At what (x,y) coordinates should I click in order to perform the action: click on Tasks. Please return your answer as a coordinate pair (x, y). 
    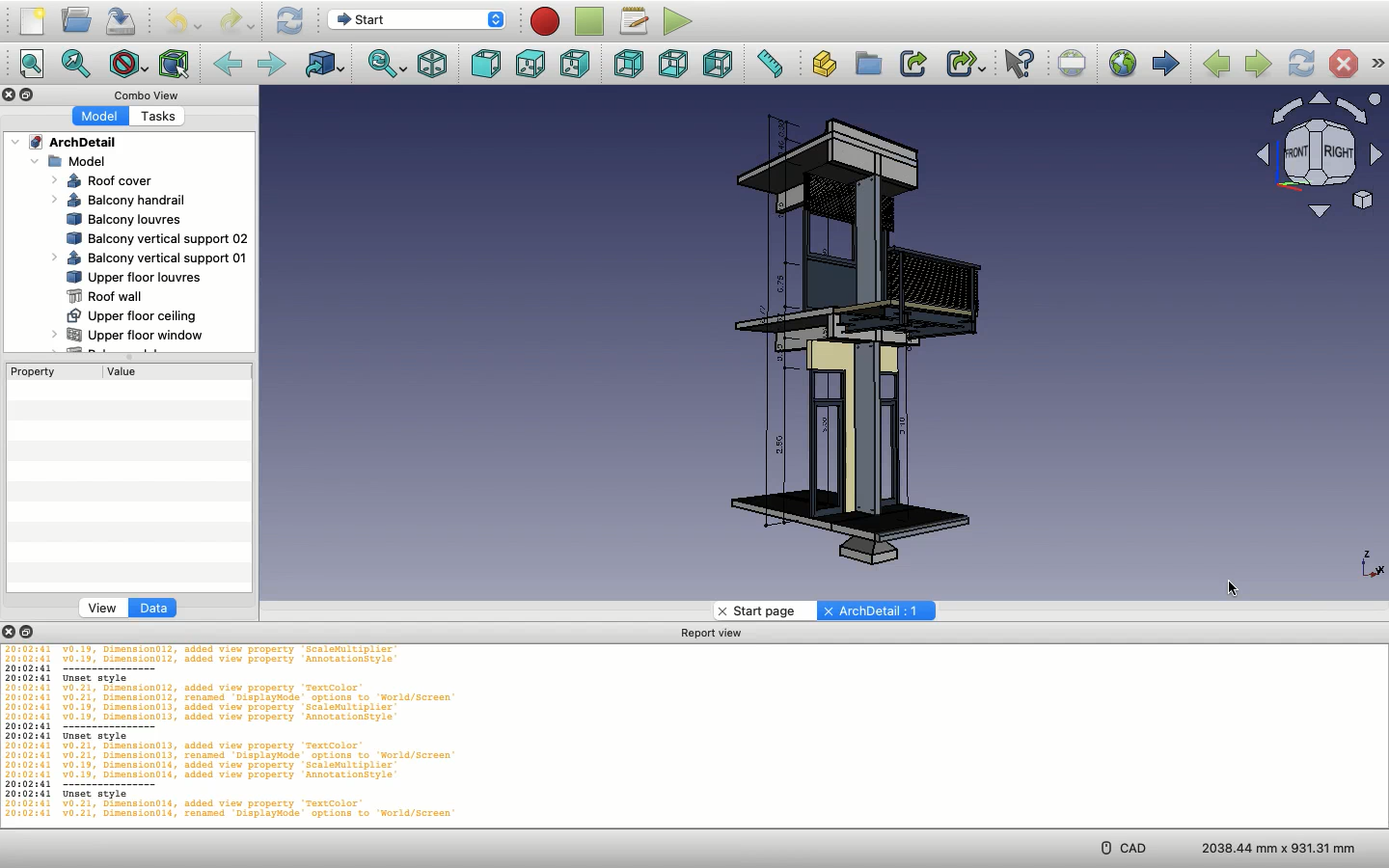
    Looking at the image, I should click on (156, 117).